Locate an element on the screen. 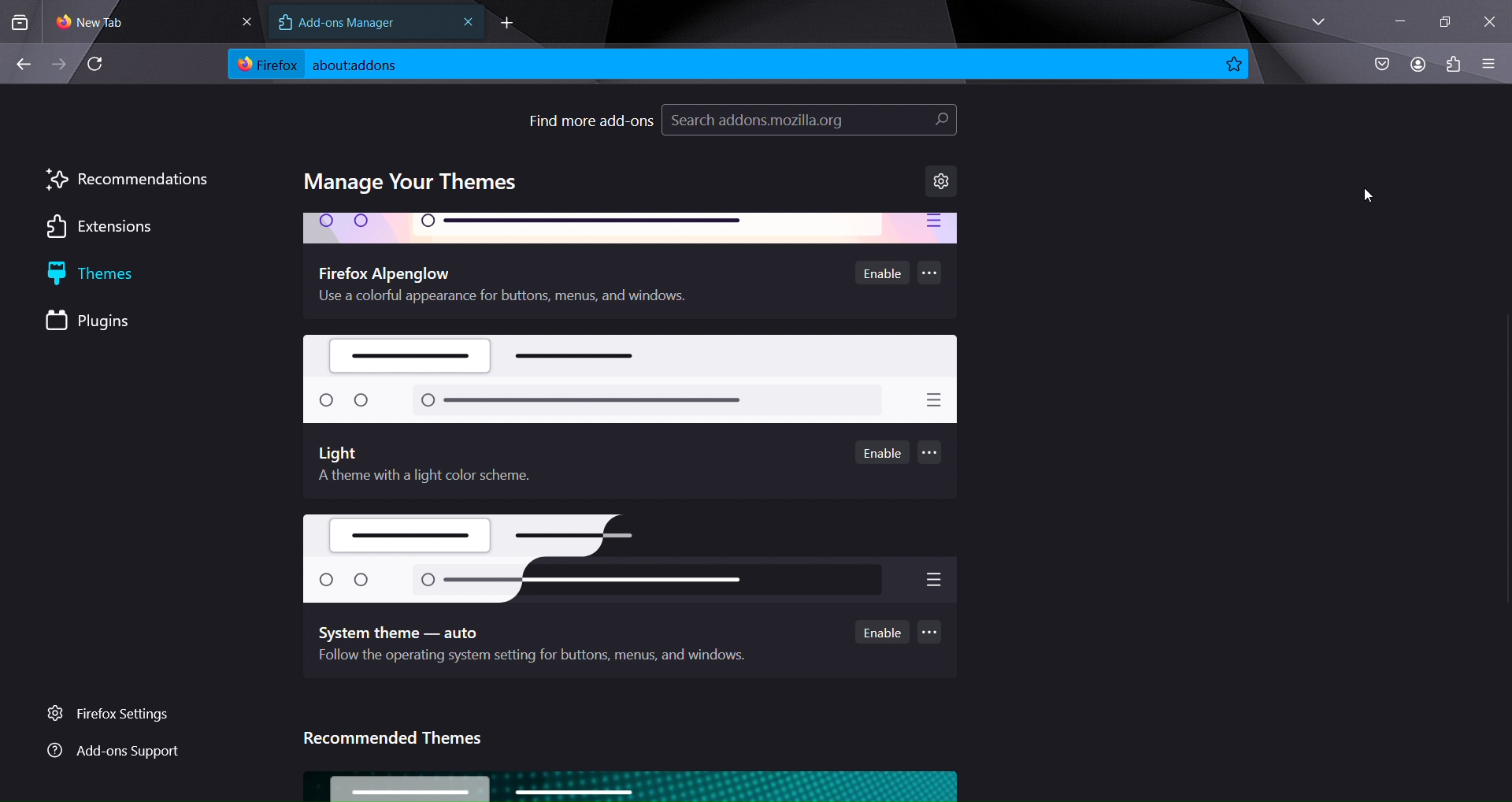 This screenshot has width=1512, height=802. plugins is located at coordinates (105, 321).